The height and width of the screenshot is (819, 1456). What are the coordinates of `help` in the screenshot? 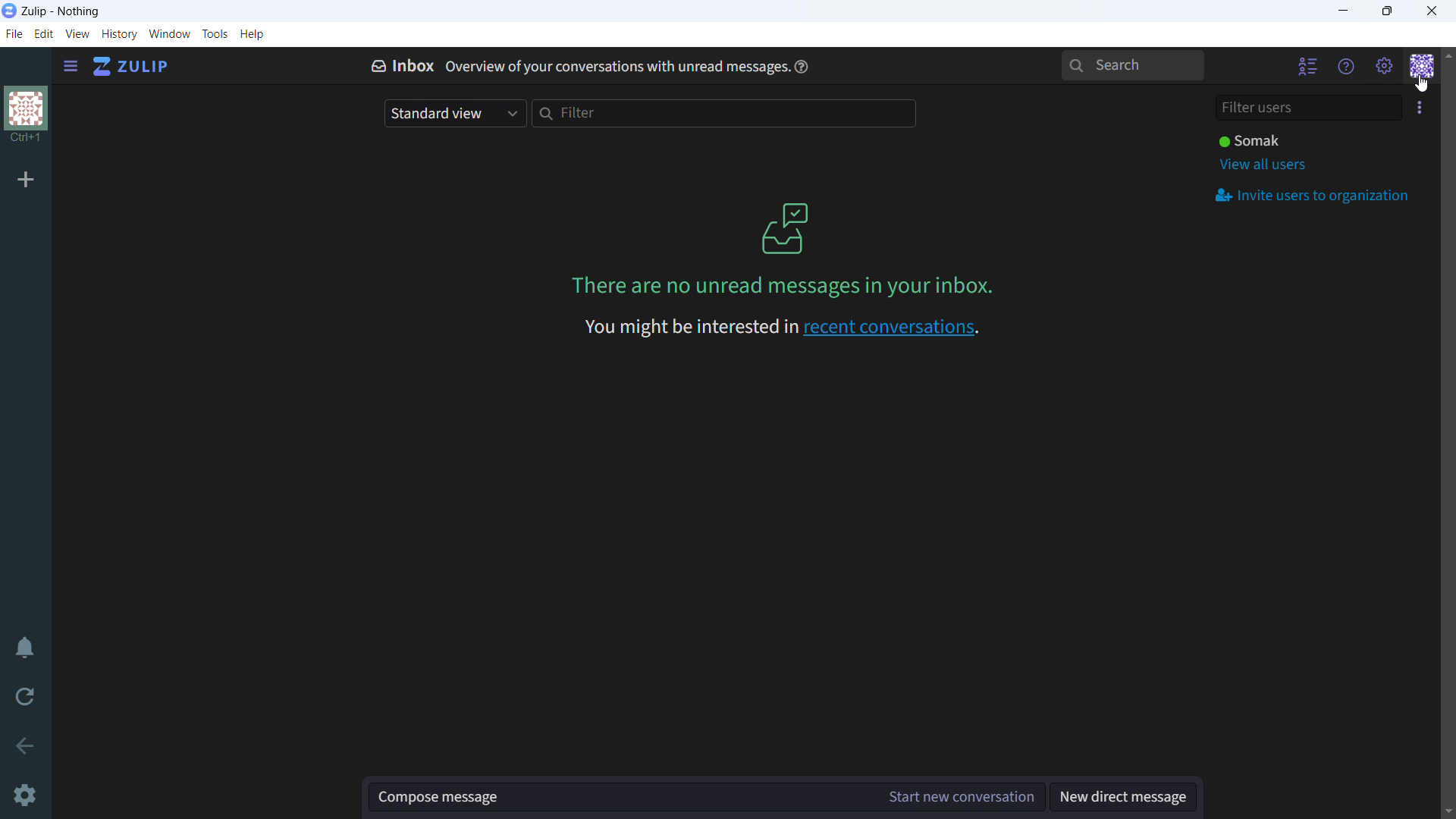 It's located at (801, 66).